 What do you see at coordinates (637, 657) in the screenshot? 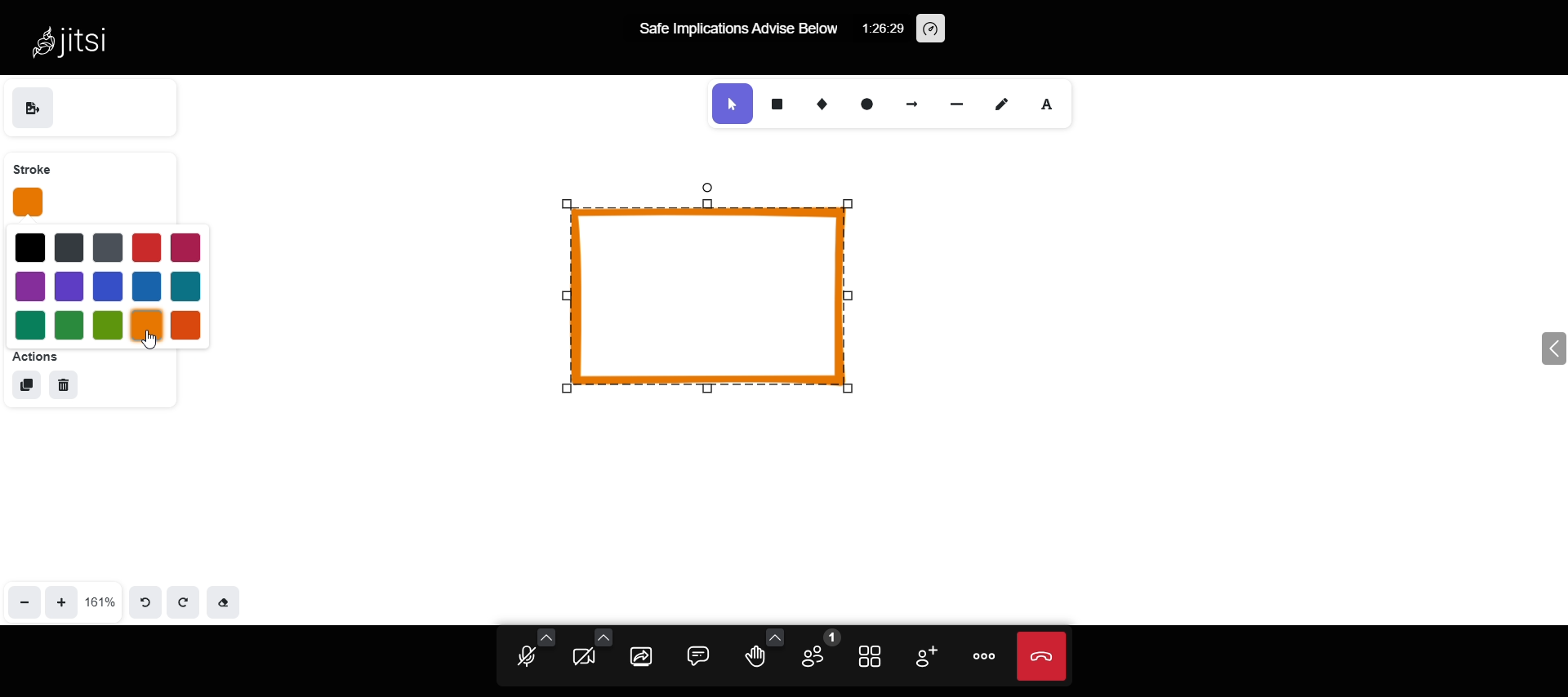
I see `share screen` at bounding box center [637, 657].